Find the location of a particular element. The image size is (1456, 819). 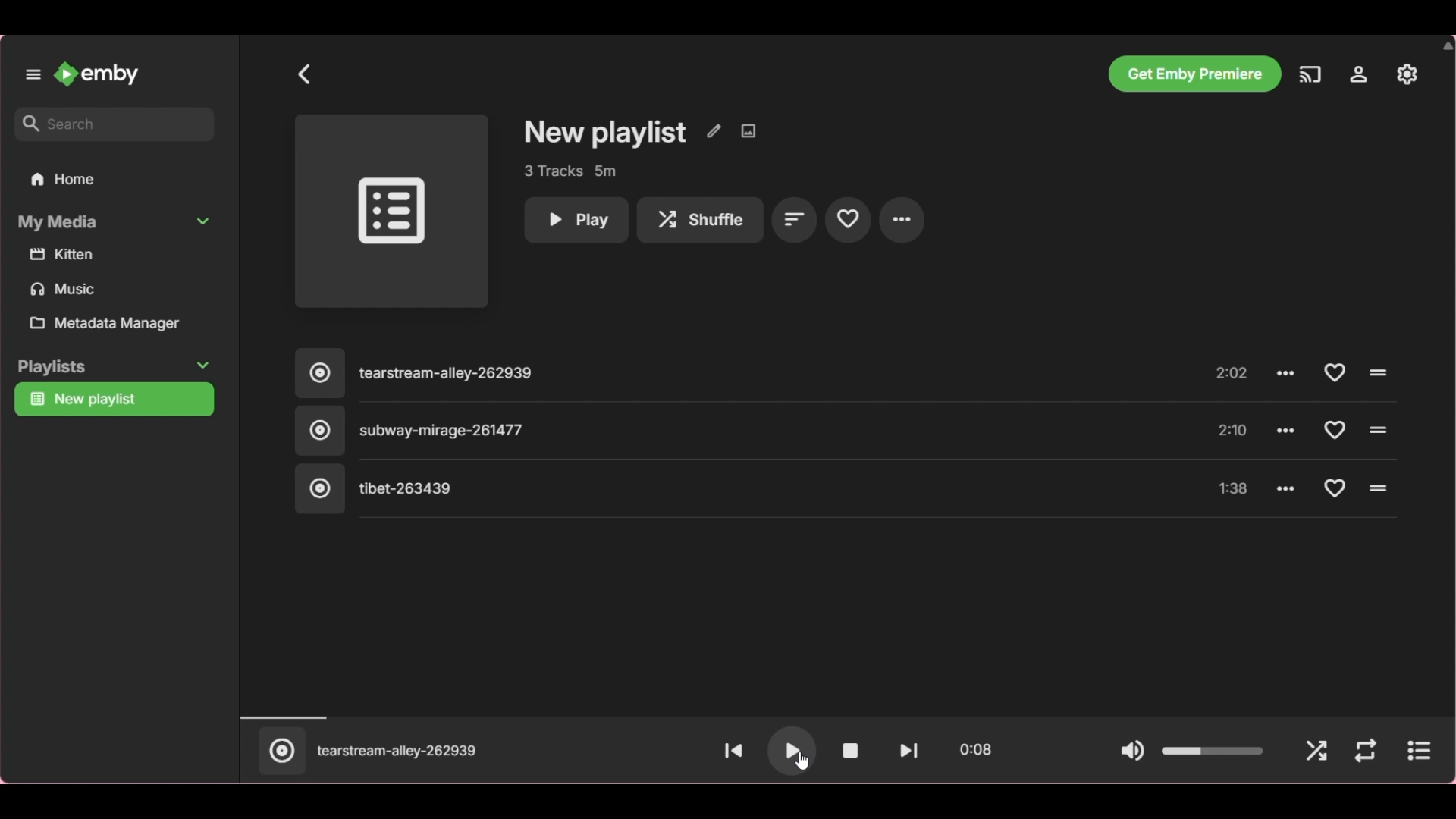

Music length of song is located at coordinates (1234, 431).